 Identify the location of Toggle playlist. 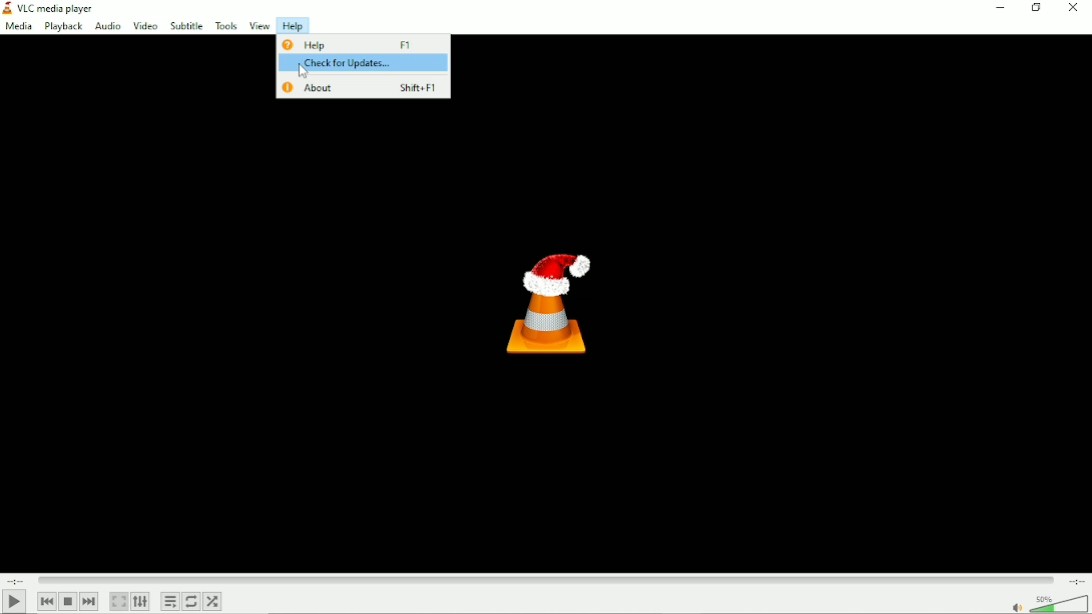
(170, 601).